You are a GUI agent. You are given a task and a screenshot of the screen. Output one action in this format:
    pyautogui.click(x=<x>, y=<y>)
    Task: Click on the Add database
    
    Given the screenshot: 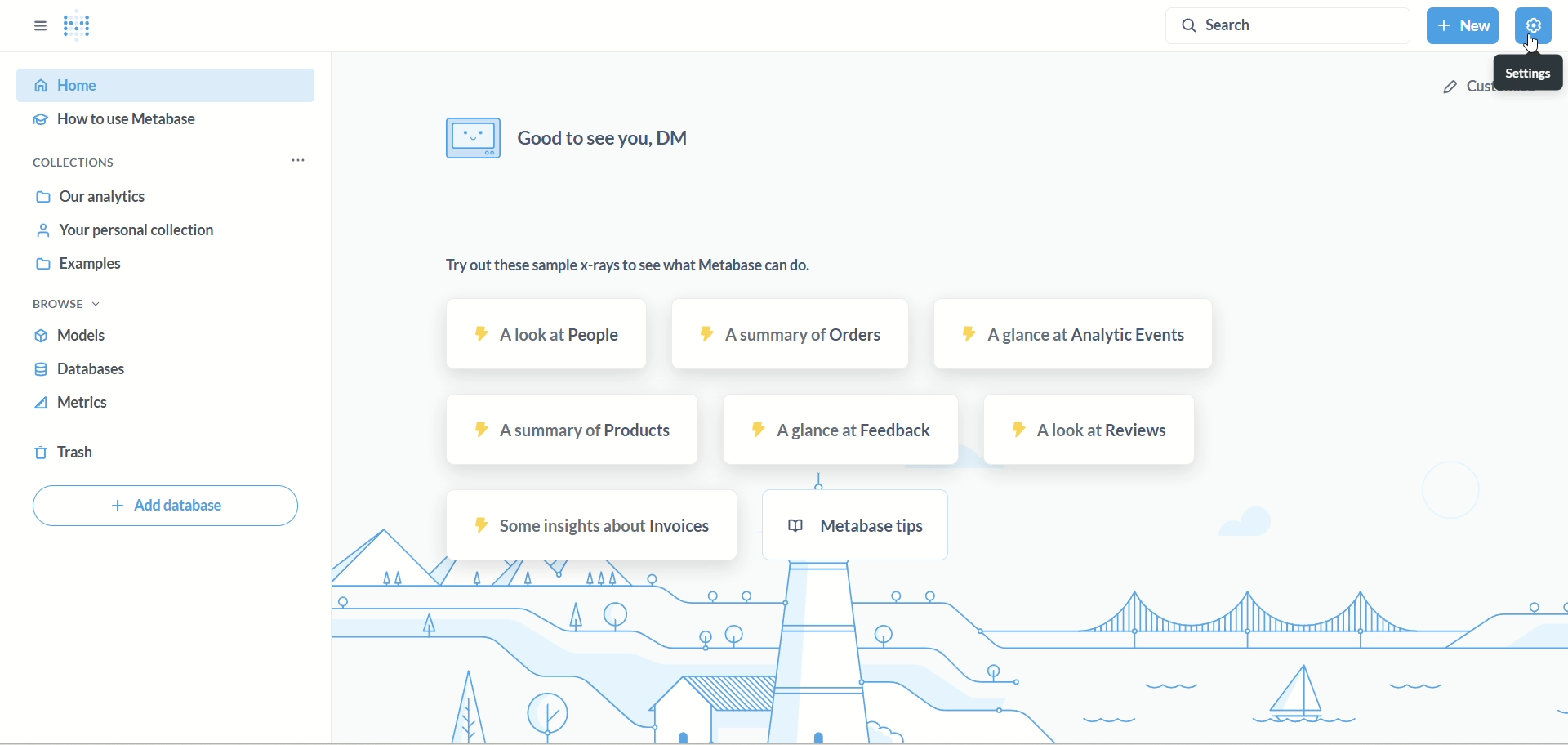 What is the action you would take?
    pyautogui.click(x=168, y=506)
    